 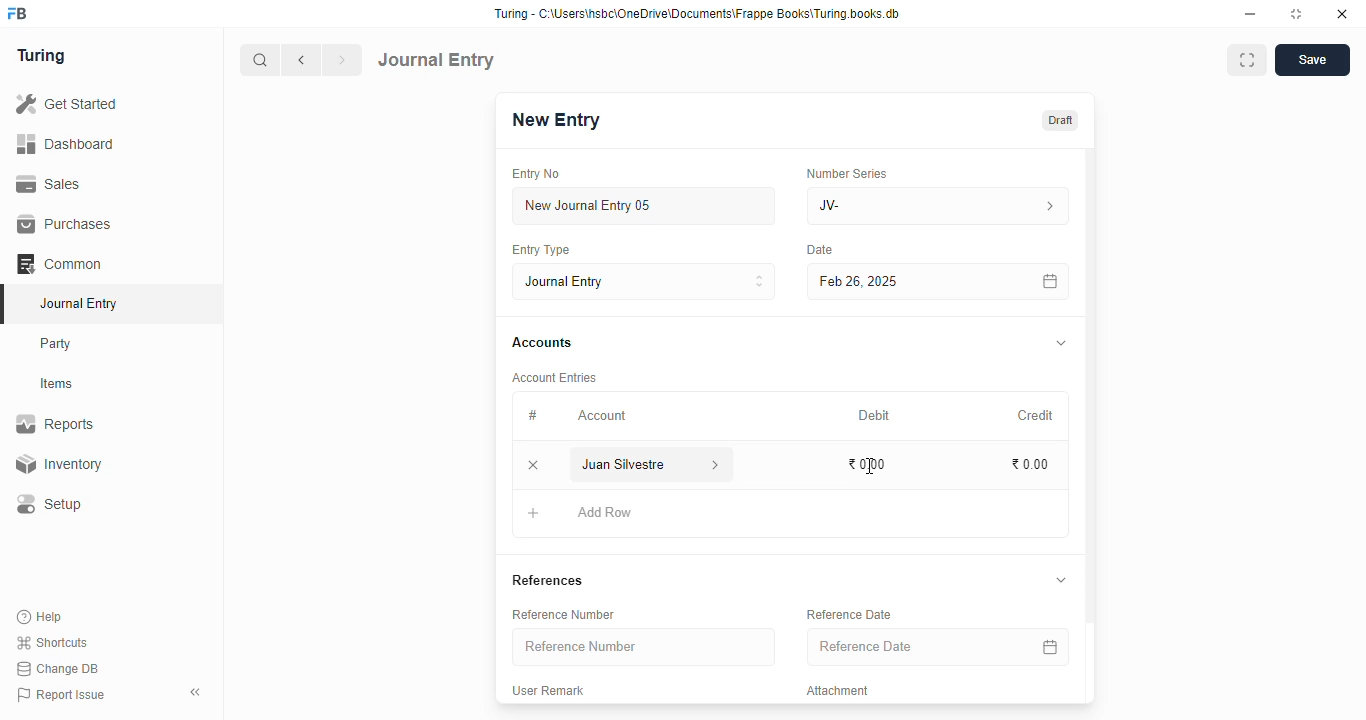 I want to click on reports, so click(x=56, y=424).